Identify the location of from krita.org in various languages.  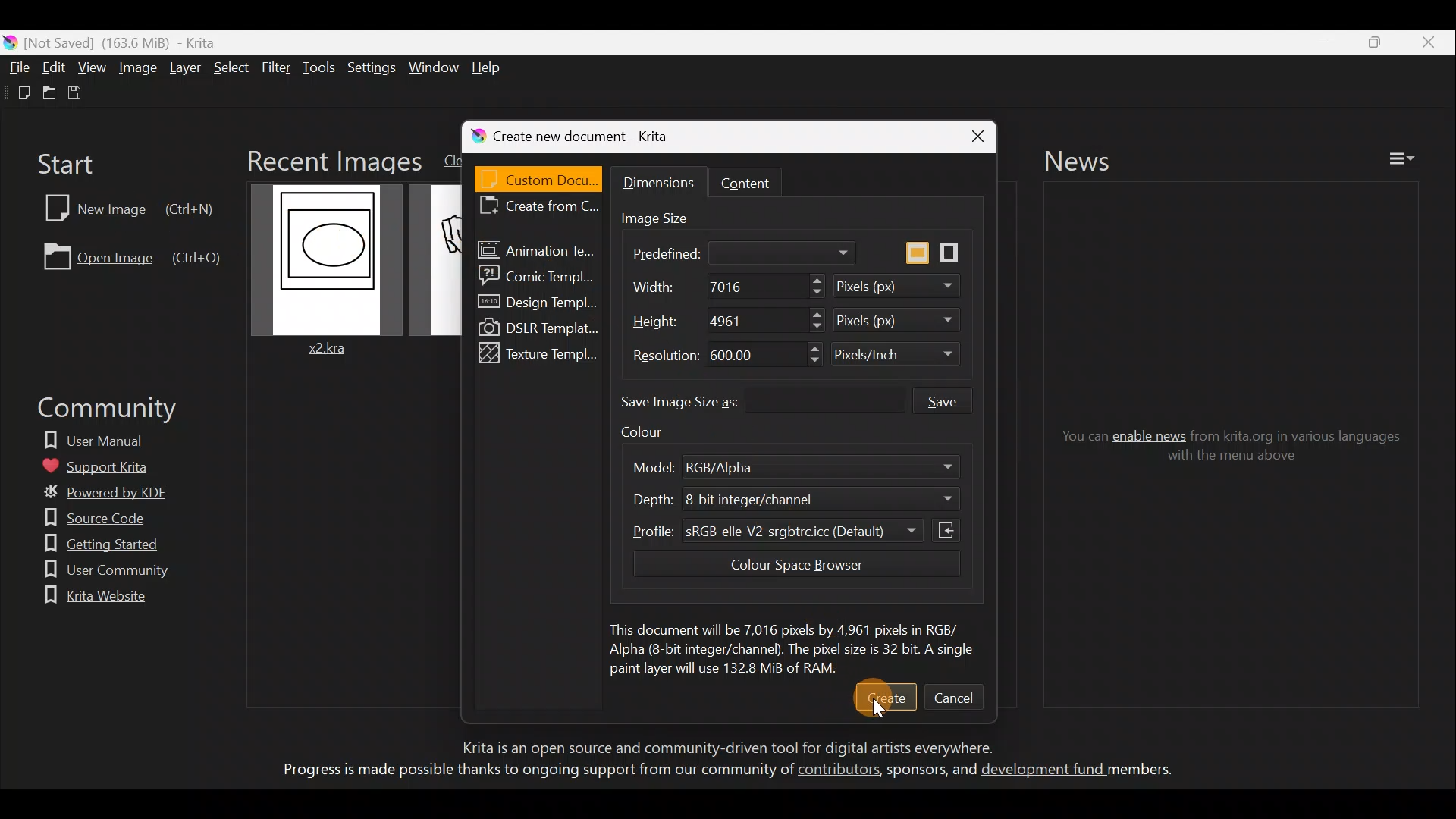
(1301, 435).